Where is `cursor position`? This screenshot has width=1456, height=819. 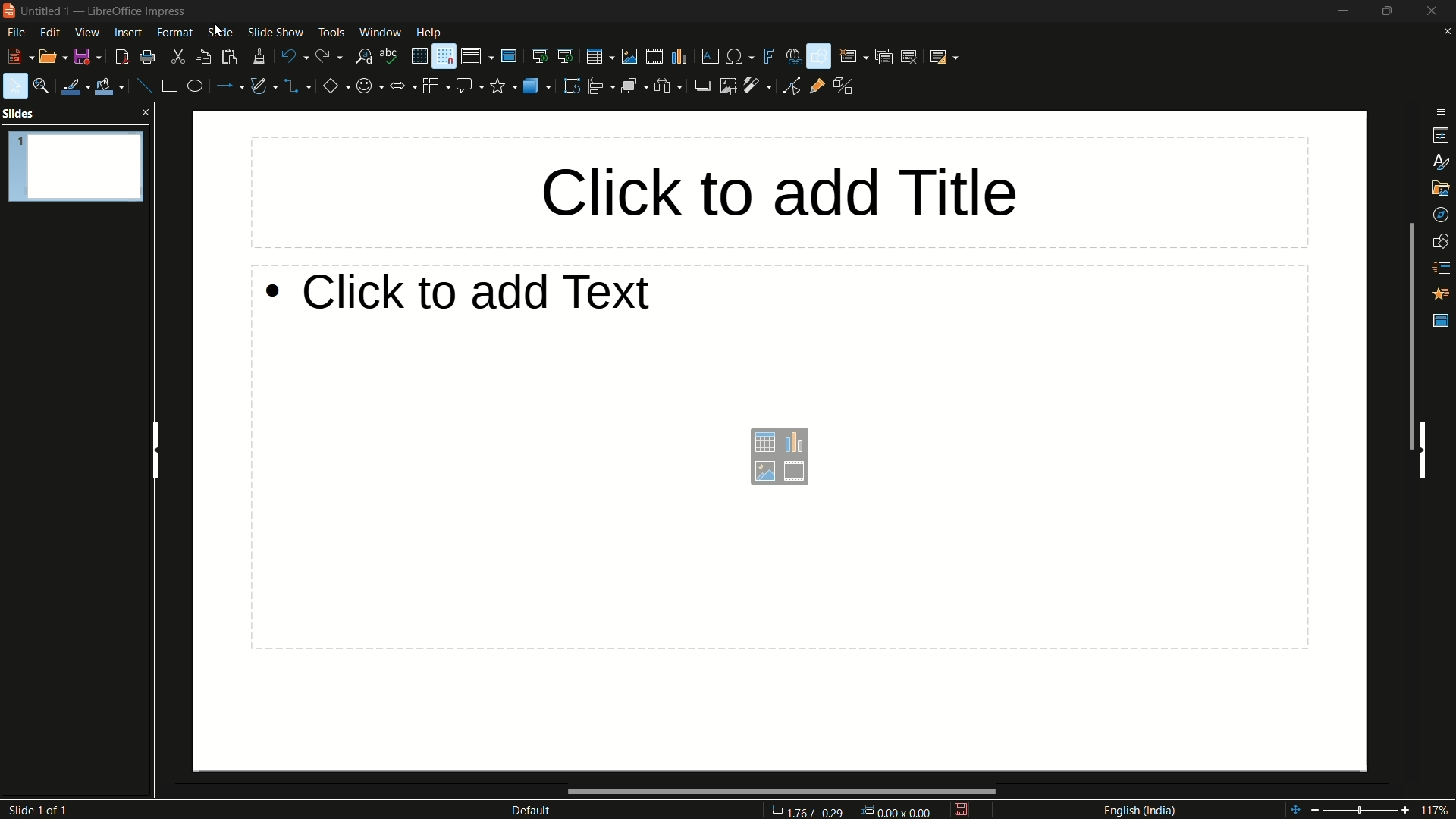 cursor position is located at coordinates (809, 811).